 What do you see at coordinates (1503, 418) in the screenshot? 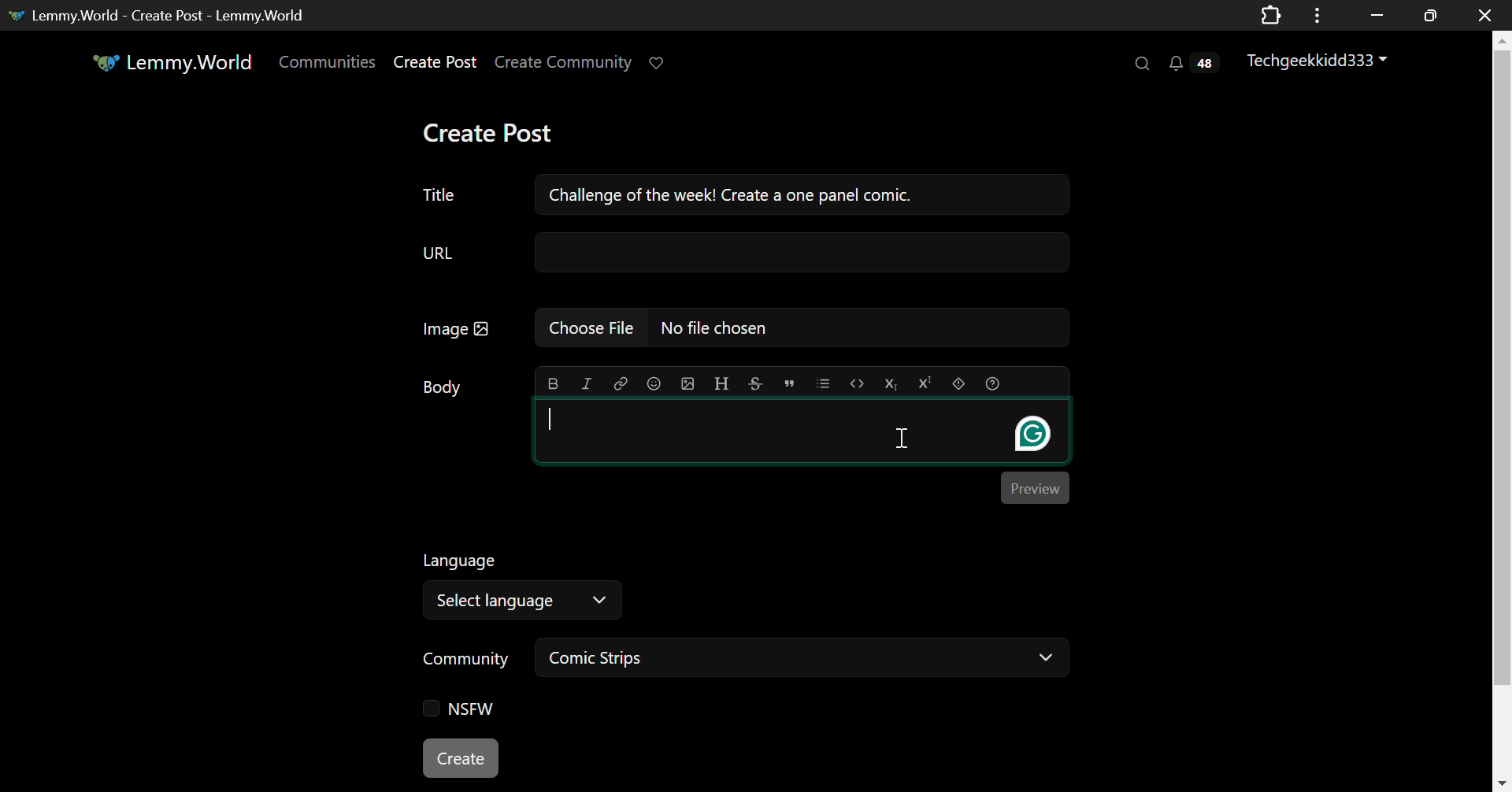
I see `Vertical Scroll Bar` at bounding box center [1503, 418].